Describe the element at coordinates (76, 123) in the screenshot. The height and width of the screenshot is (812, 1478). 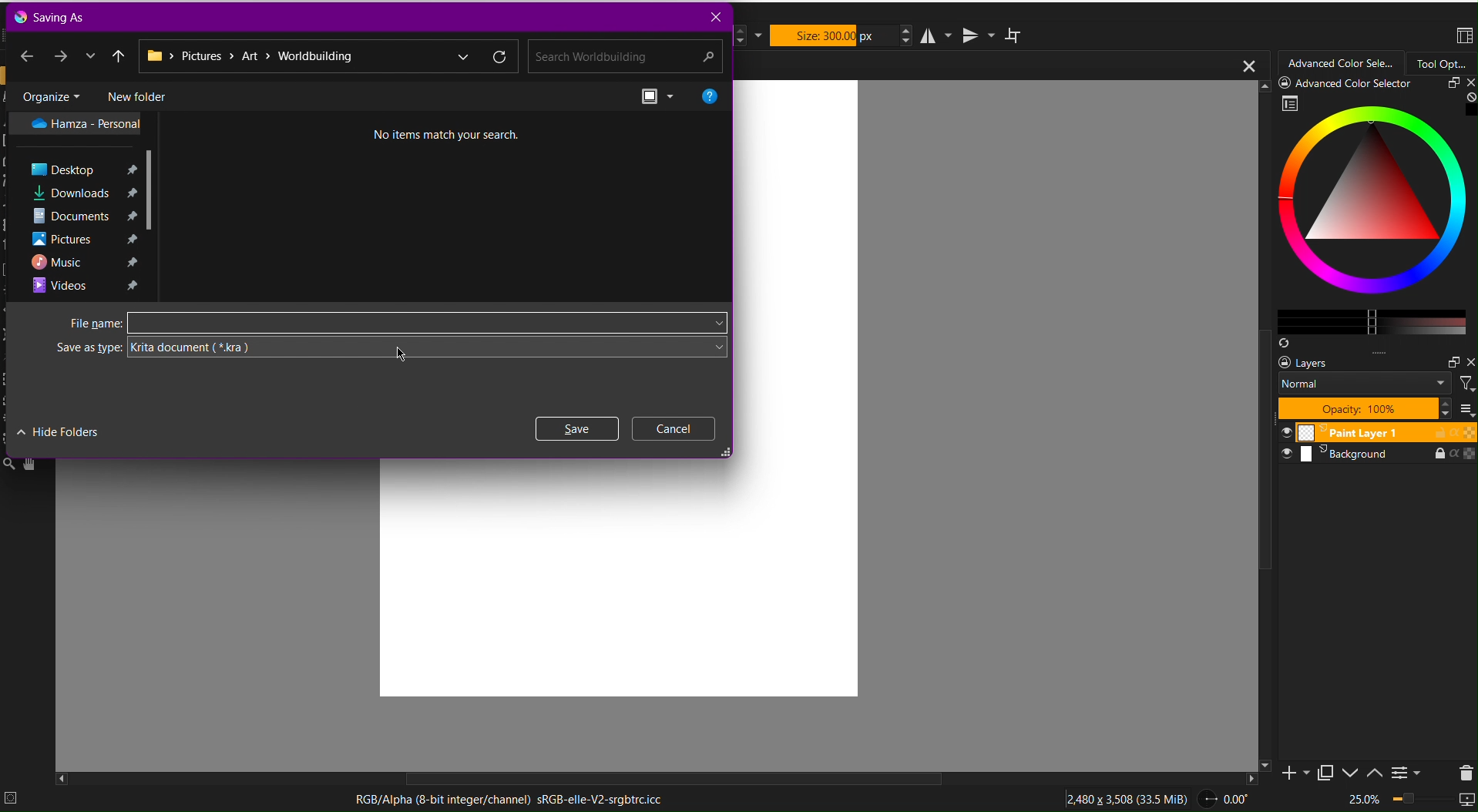
I see `Hamza-Personal` at that location.